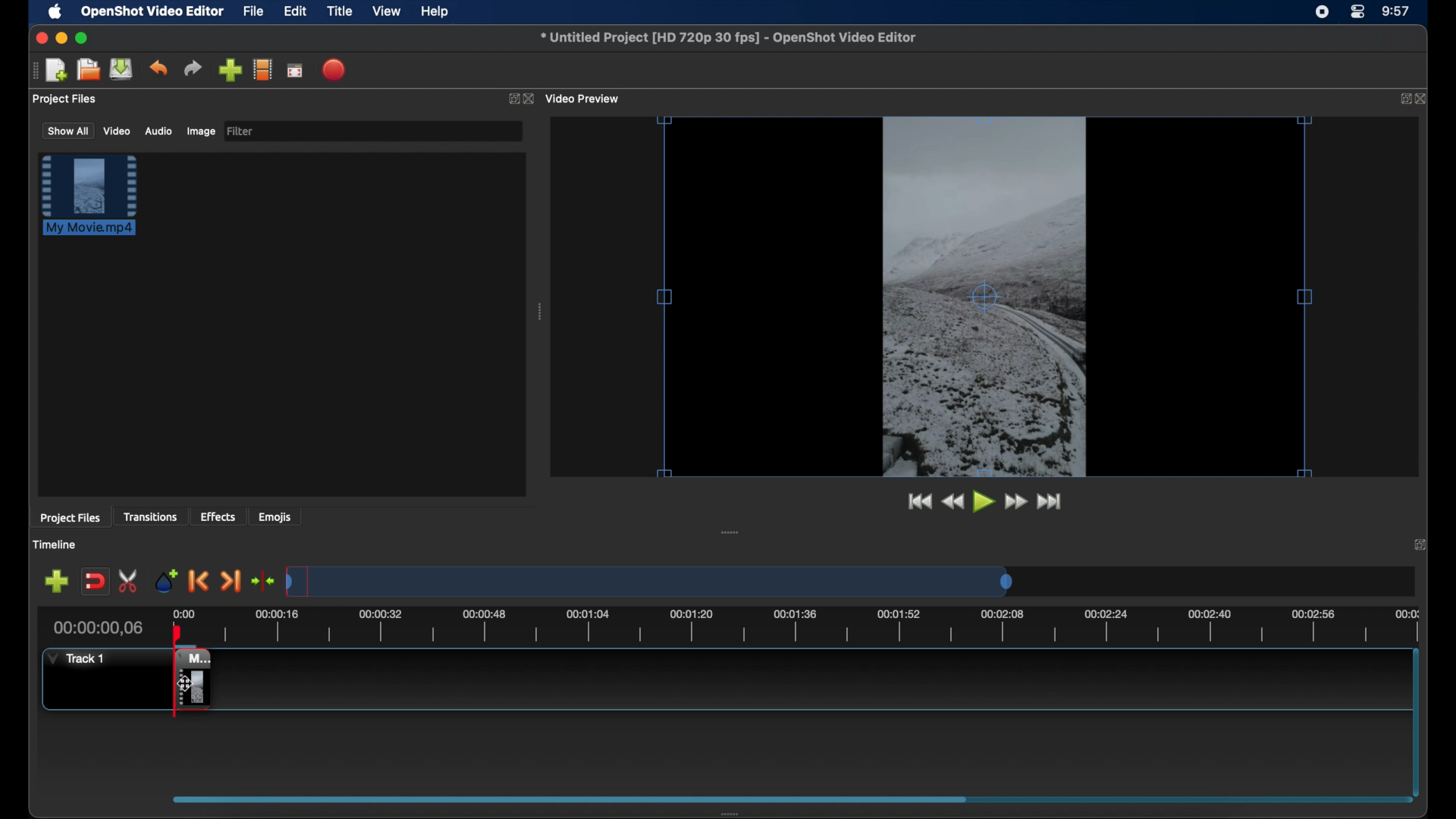  What do you see at coordinates (952, 502) in the screenshot?
I see `rewind` at bounding box center [952, 502].